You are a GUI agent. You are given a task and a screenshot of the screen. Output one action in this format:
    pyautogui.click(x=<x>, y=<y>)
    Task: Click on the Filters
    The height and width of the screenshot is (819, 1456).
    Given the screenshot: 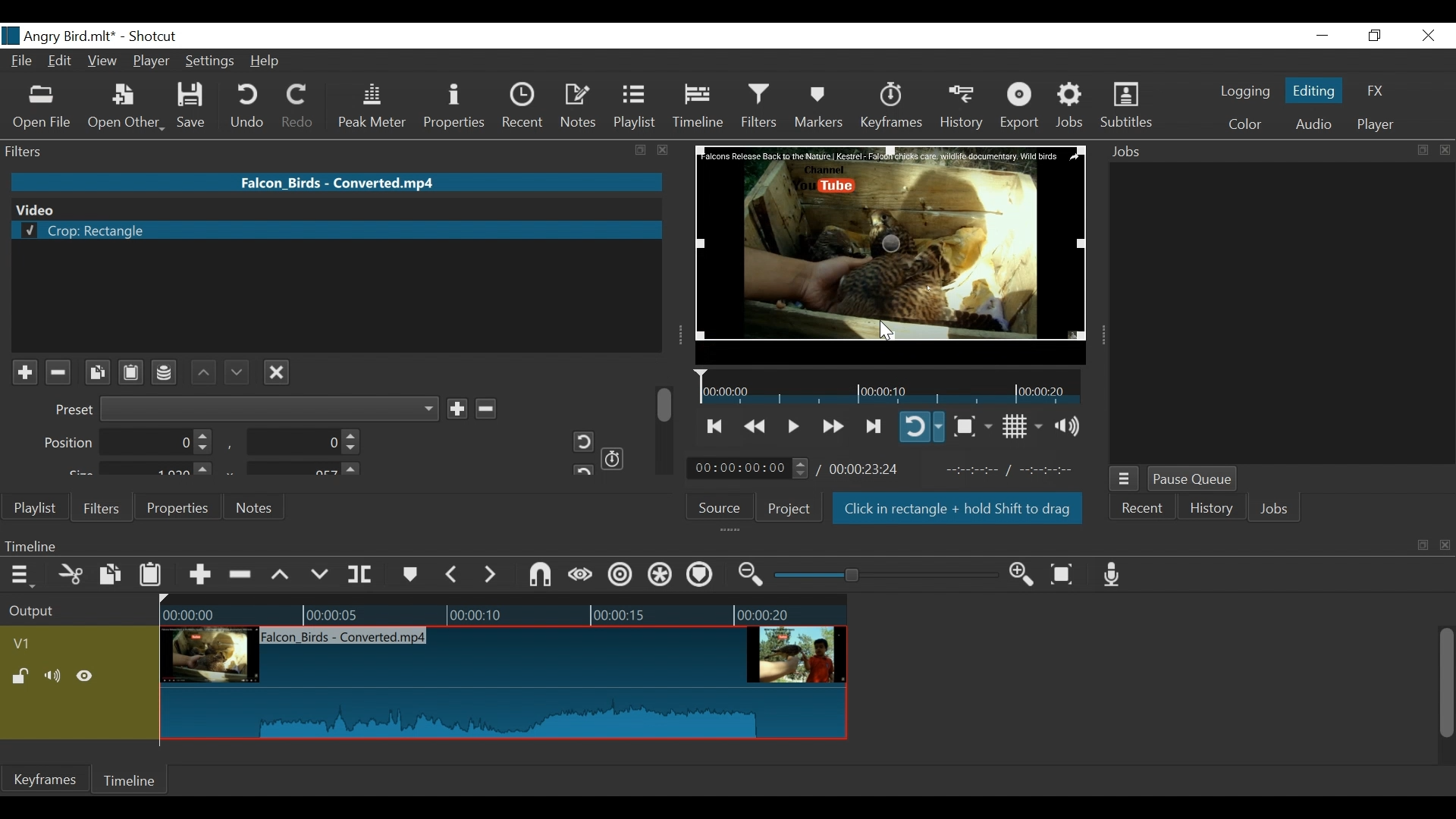 What is the action you would take?
    pyautogui.click(x=761, y=105)
    